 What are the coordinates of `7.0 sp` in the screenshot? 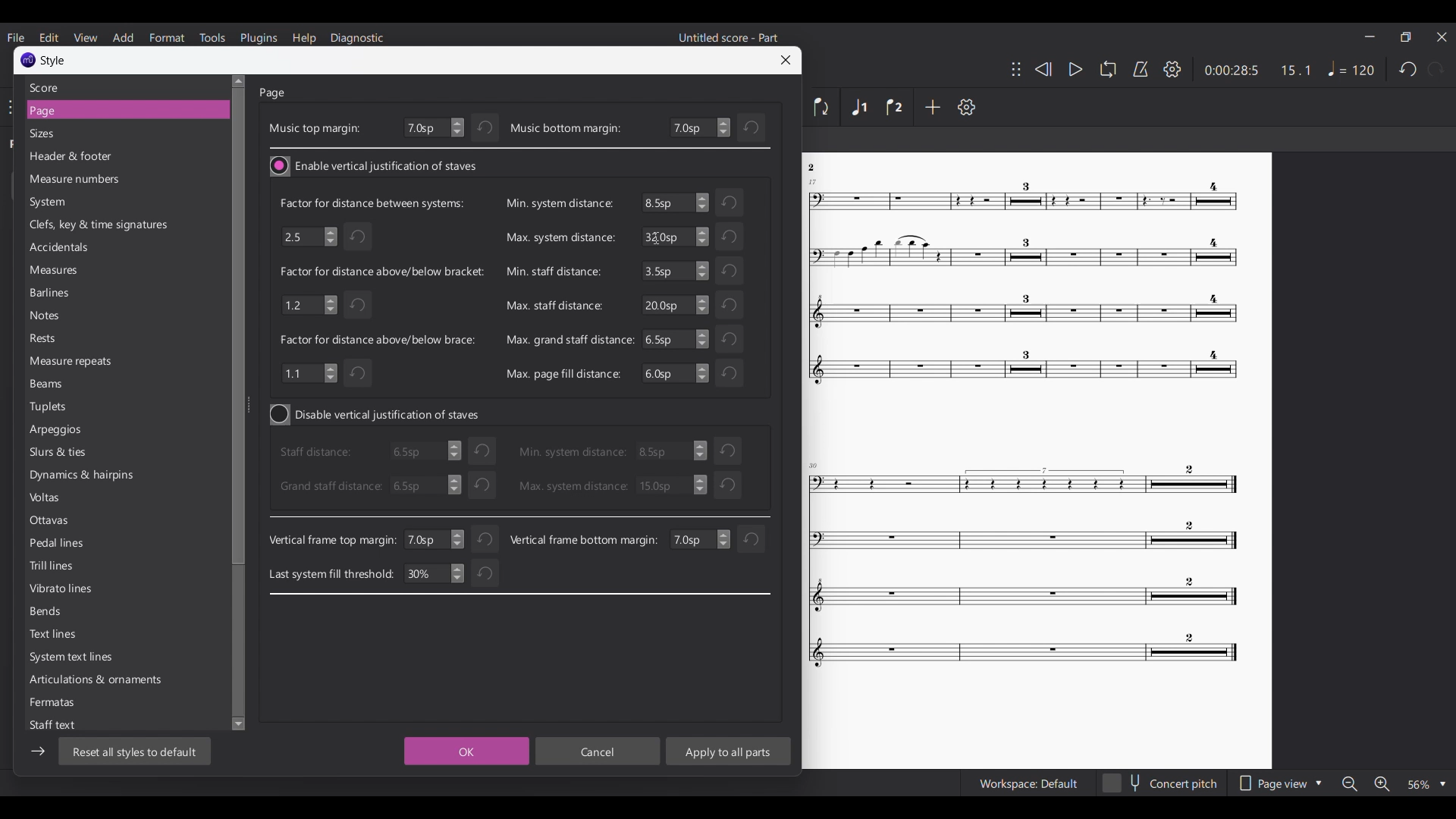 It's located at (435, 539).